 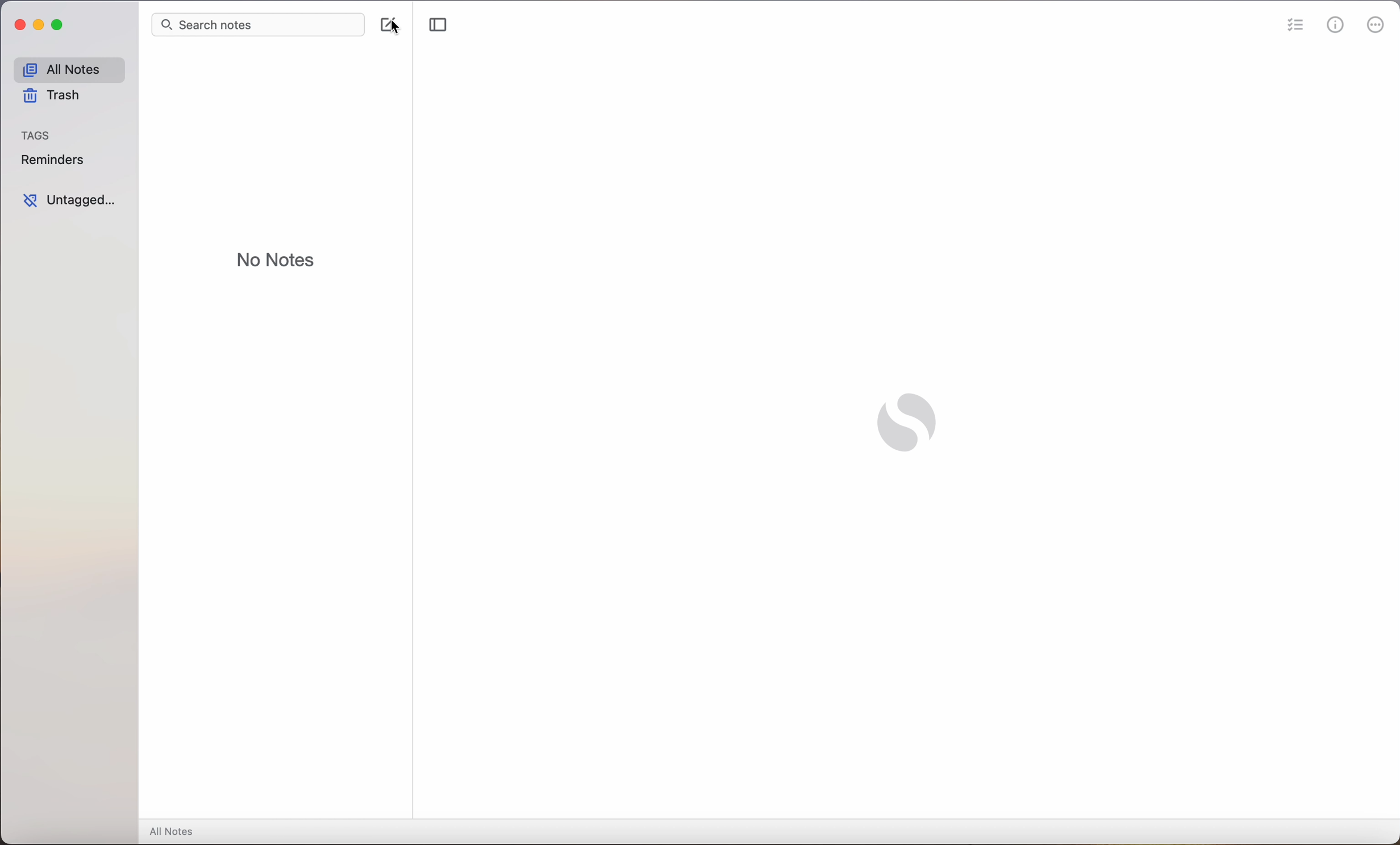 What do you see at coordinates (440, 25) in the screenshot?
I see `toggle sidebar` at bounding box center [440, 25].